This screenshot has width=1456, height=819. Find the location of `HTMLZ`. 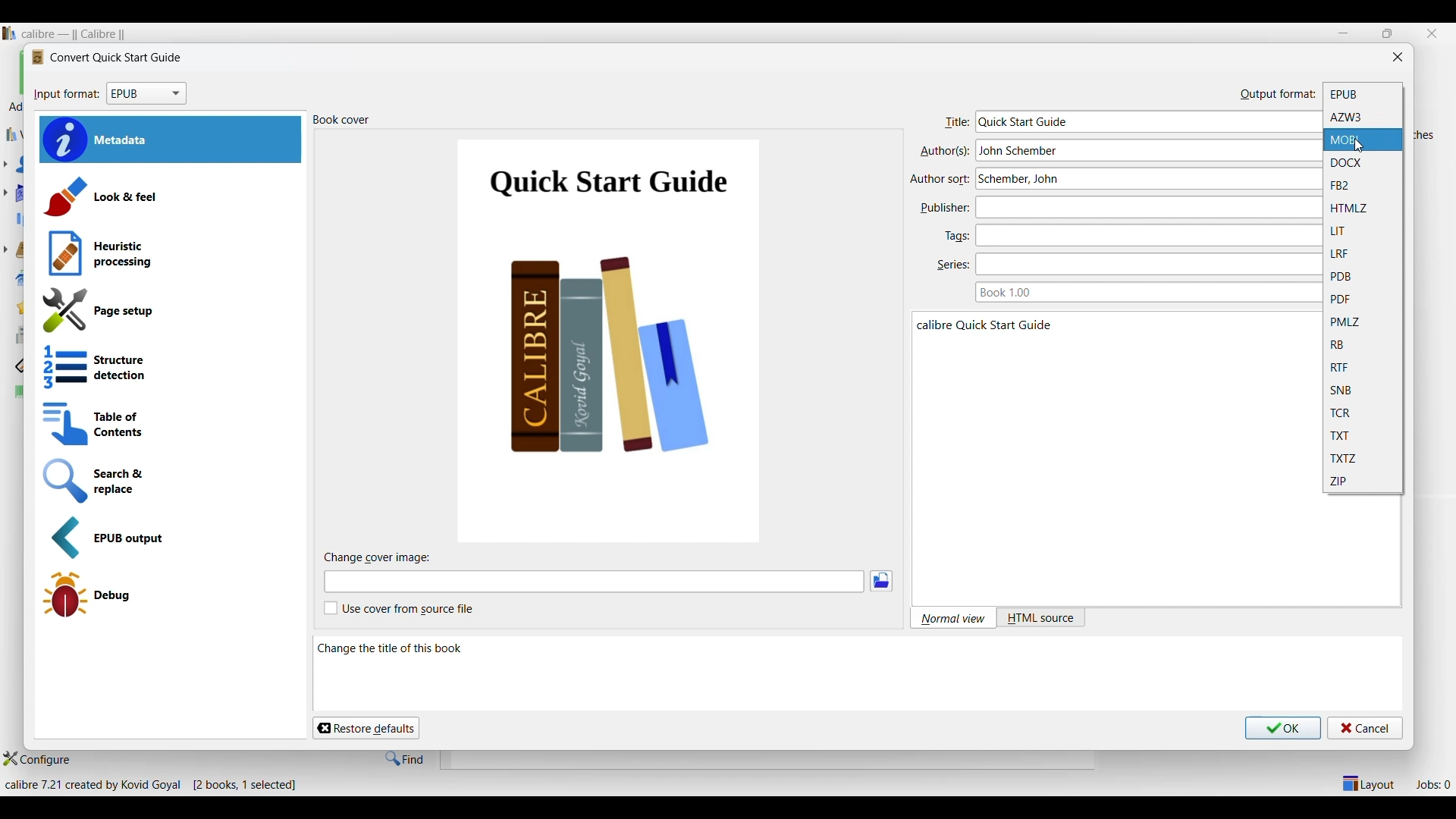

HTMLZ is located at coordinates (1363, 209).